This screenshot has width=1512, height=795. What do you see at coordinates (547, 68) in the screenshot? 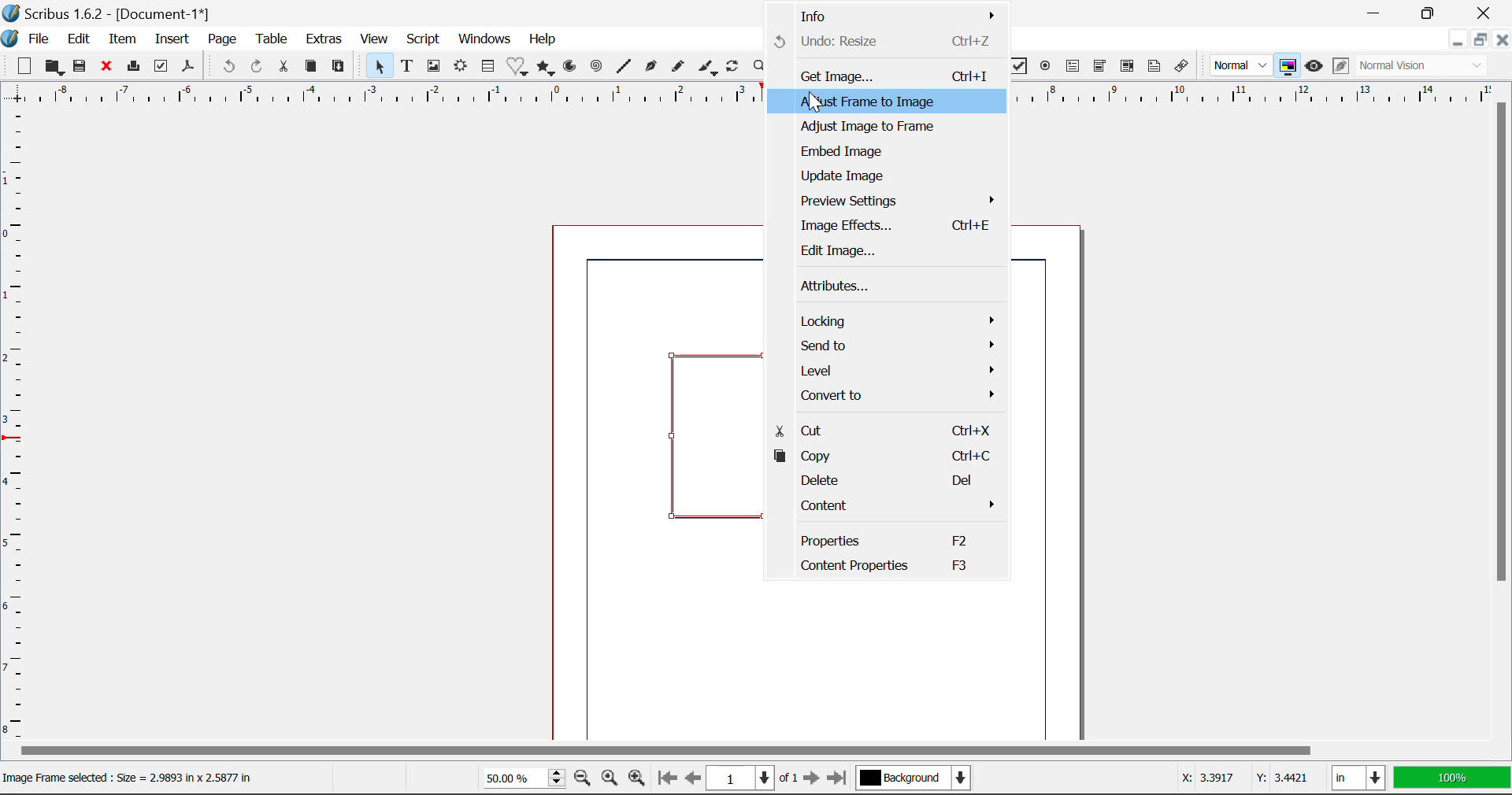
I see `Polygon` at bounding box center [547, 68].